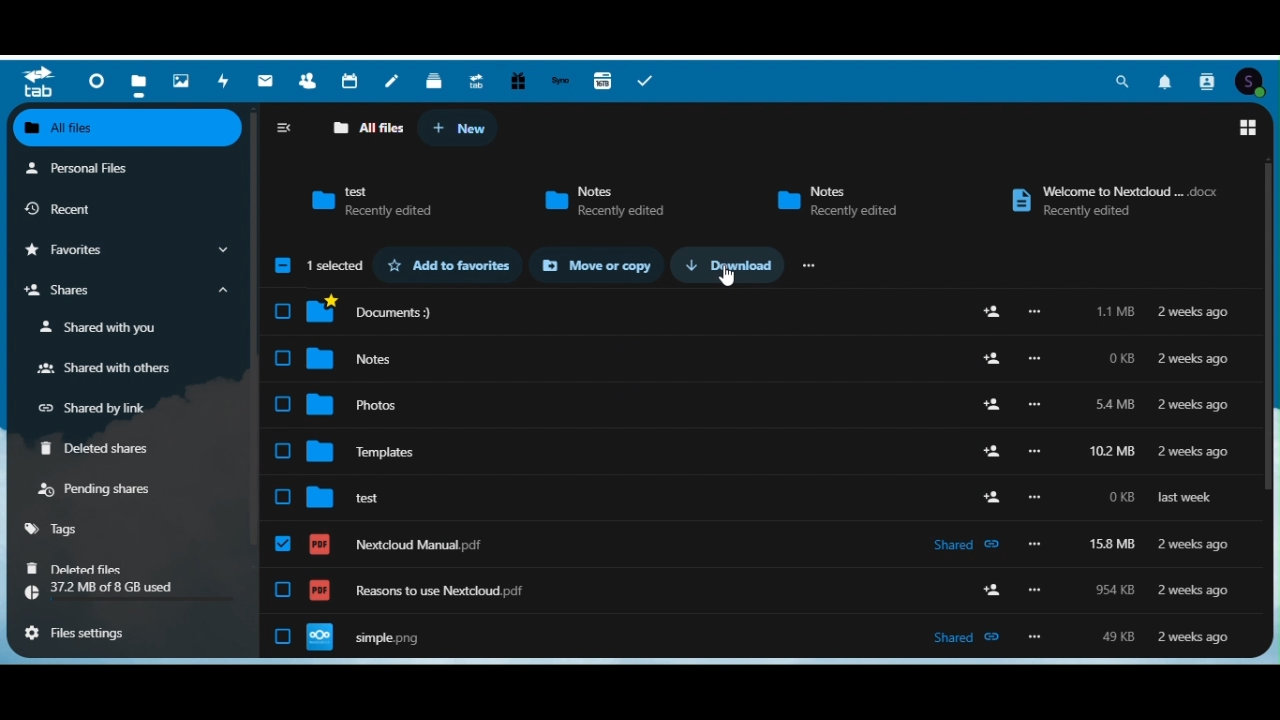  I want to click on Shared with others, so click(112, 368).